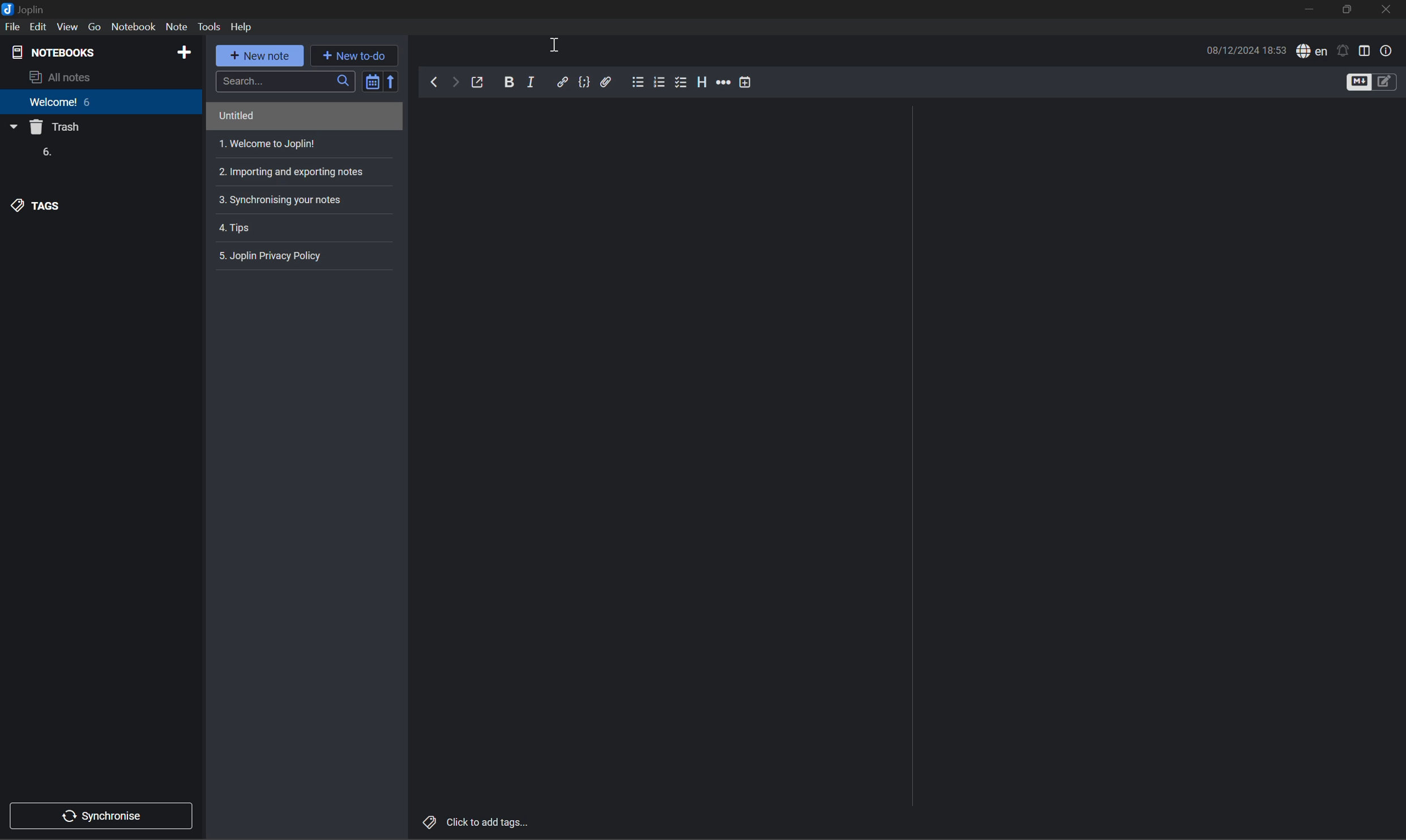 The image size is (1406, 840). I want to click on All notes, so click(63, 78).